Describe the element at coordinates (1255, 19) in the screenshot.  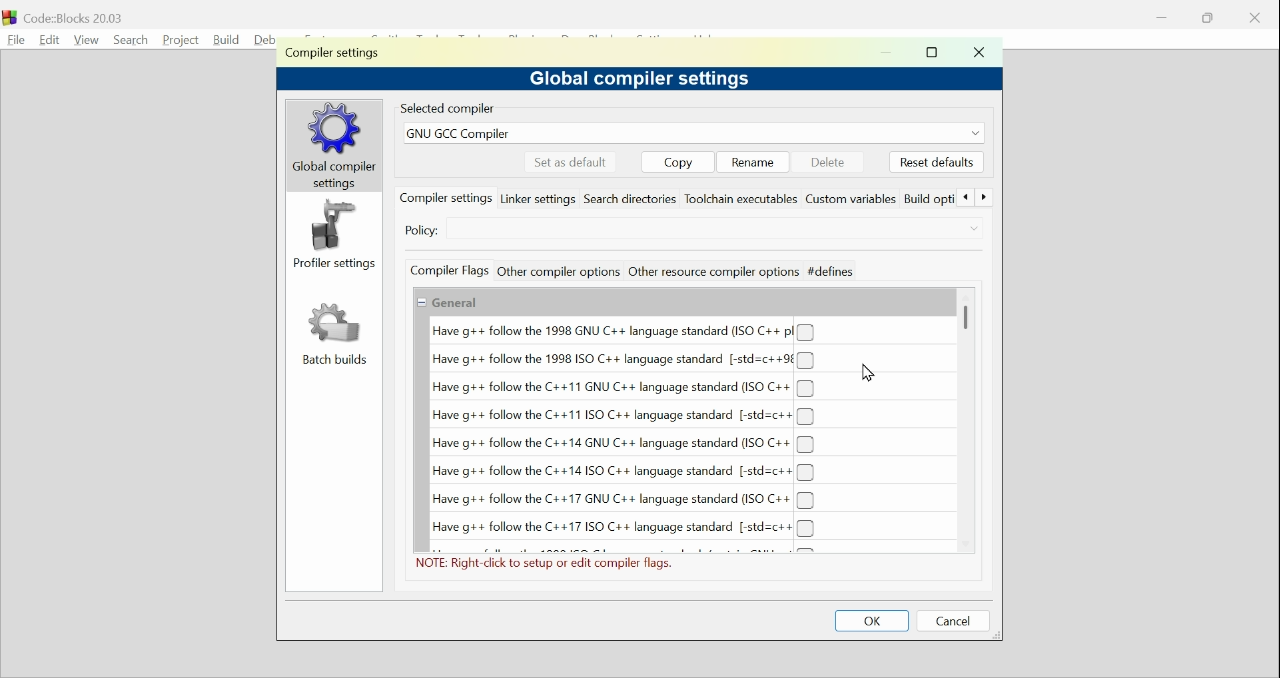
I see `cancel` at that location.